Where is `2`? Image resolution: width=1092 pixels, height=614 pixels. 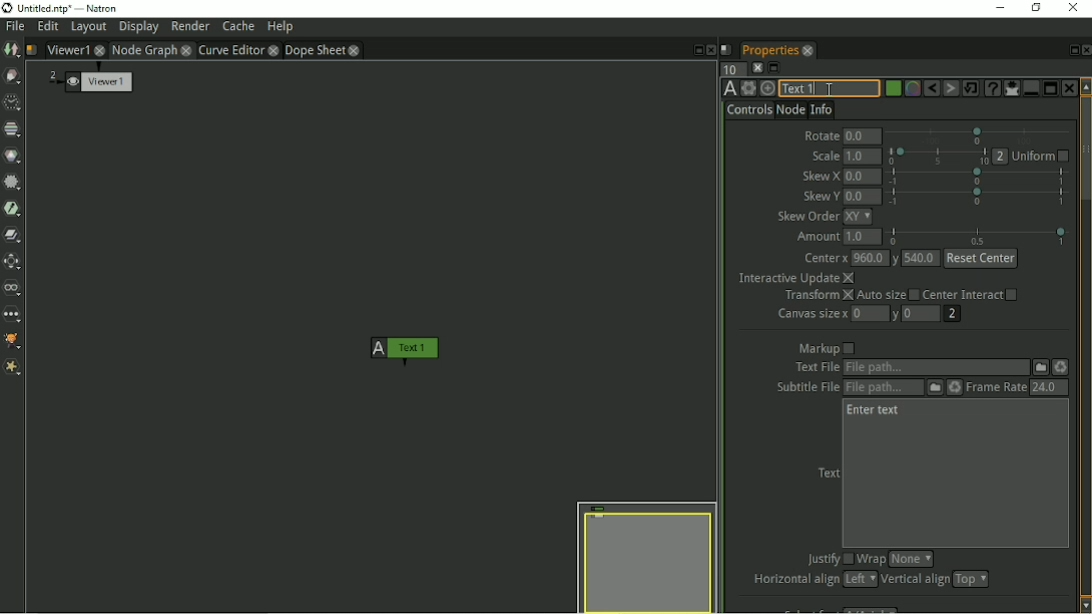 2 is located at coordinates (953, 315).